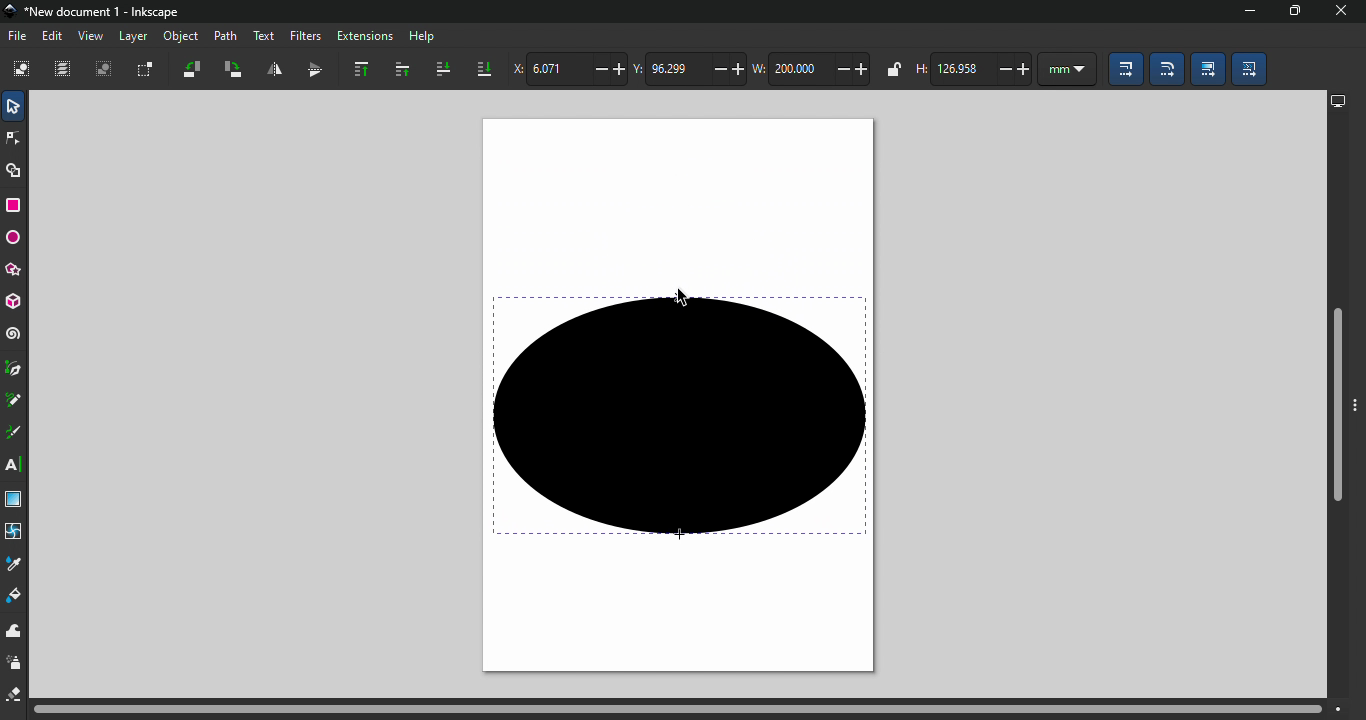  Describe the element at coordinates (16, 302) in the screenshot. I see `3D box tool` at that location.